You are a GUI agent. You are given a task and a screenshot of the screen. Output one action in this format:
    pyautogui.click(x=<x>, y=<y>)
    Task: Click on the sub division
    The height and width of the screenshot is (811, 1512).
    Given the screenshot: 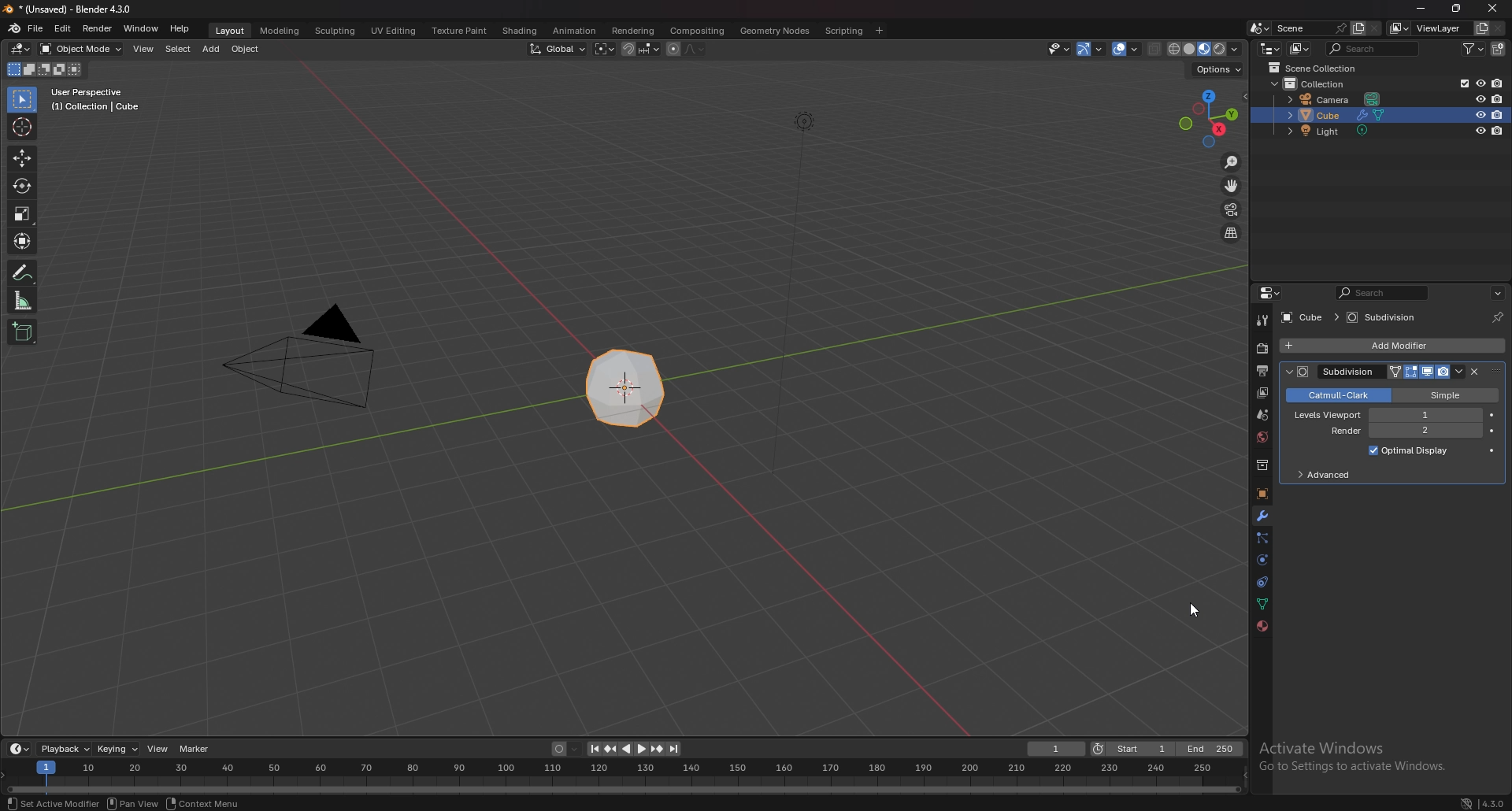 What is the action you would take?
    pyautogui.click(x=1388, y=317)
    